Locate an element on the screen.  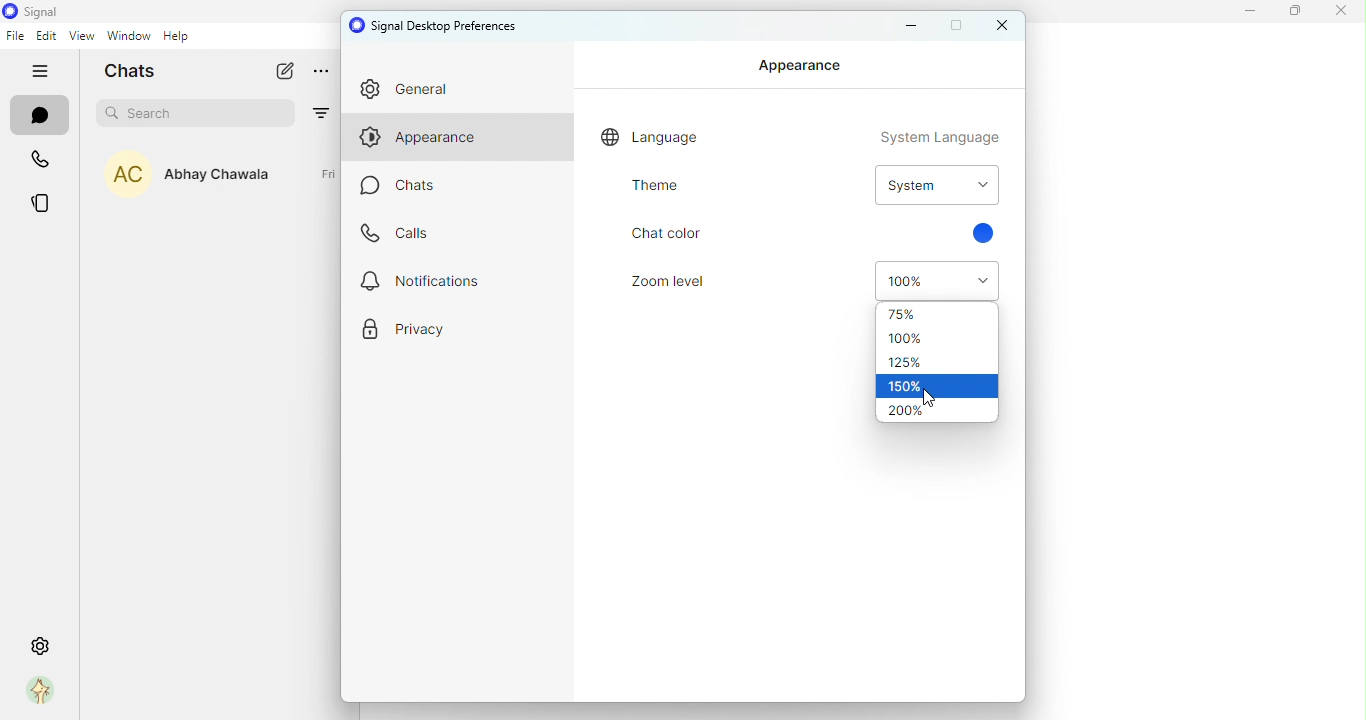
notifications is located at coordinates (430, 286).